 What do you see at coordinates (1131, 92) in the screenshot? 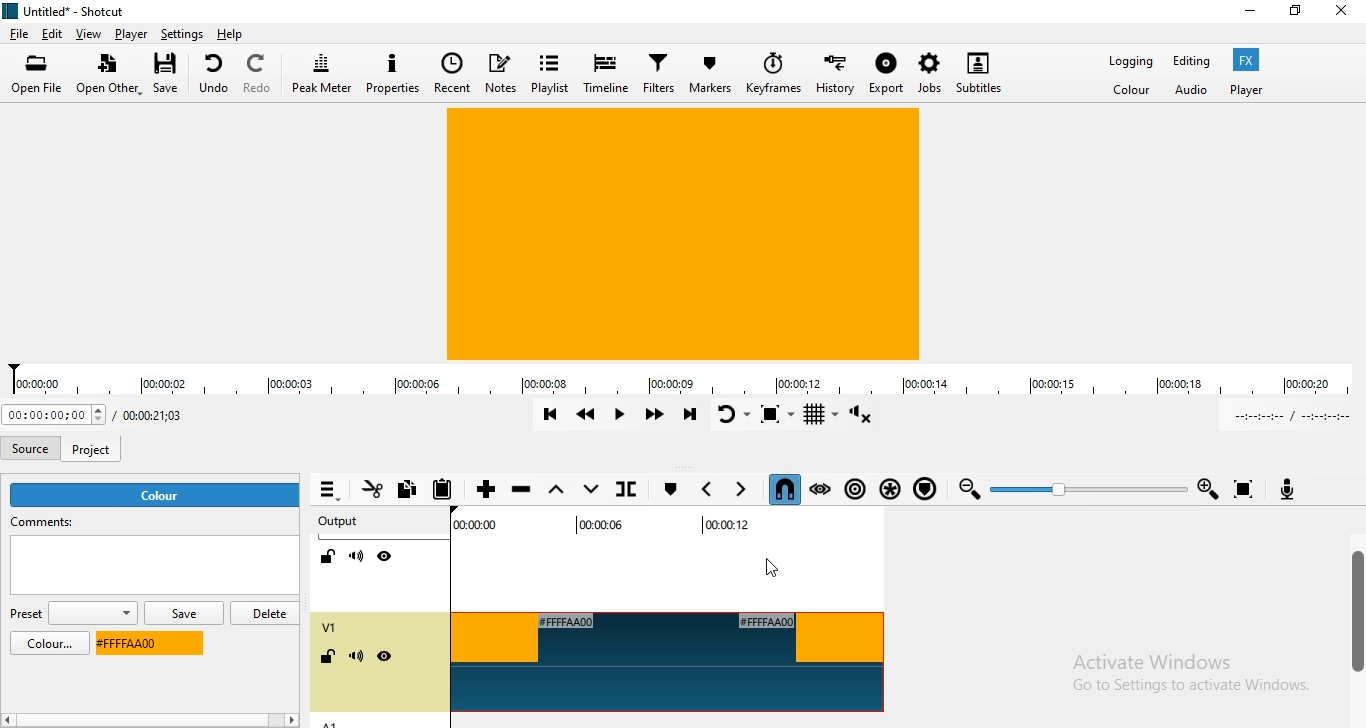
I see `Color` at bounding box center [1131, 92].